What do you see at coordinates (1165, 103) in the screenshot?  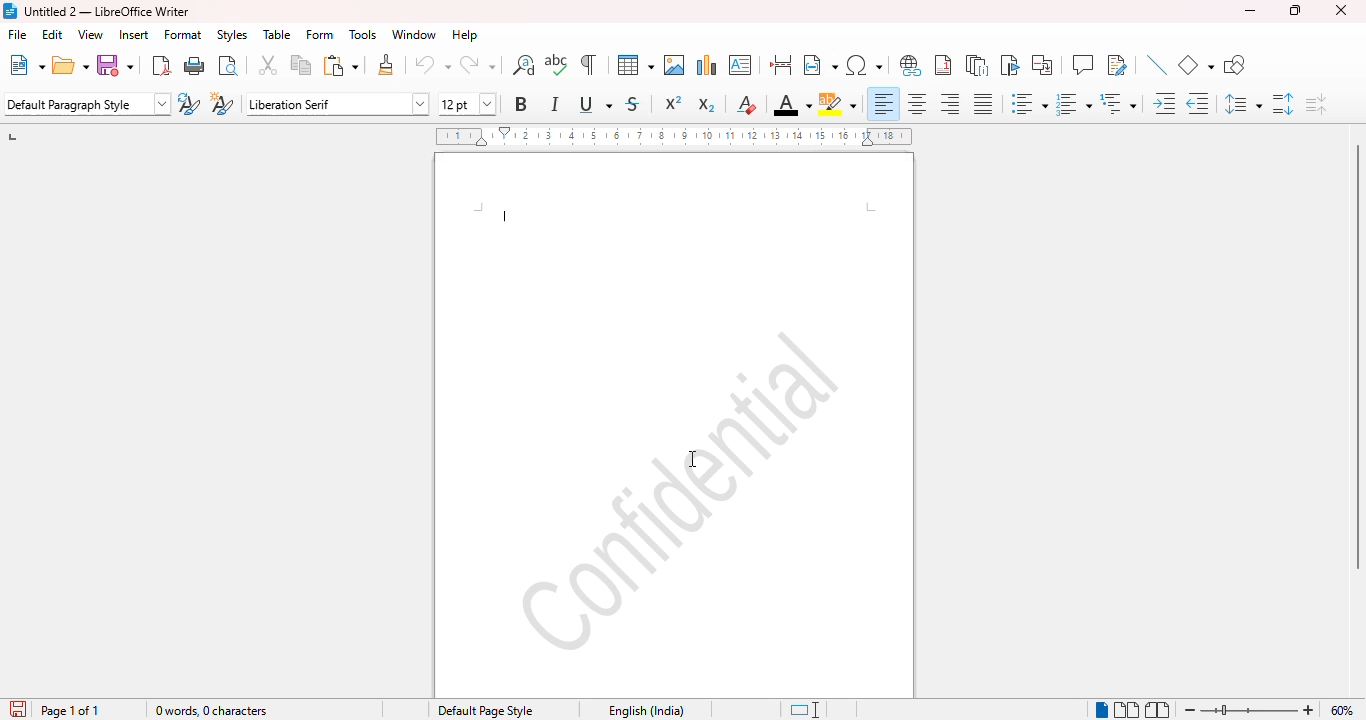 I see `increase indent` at bounding box center [1165, 103].